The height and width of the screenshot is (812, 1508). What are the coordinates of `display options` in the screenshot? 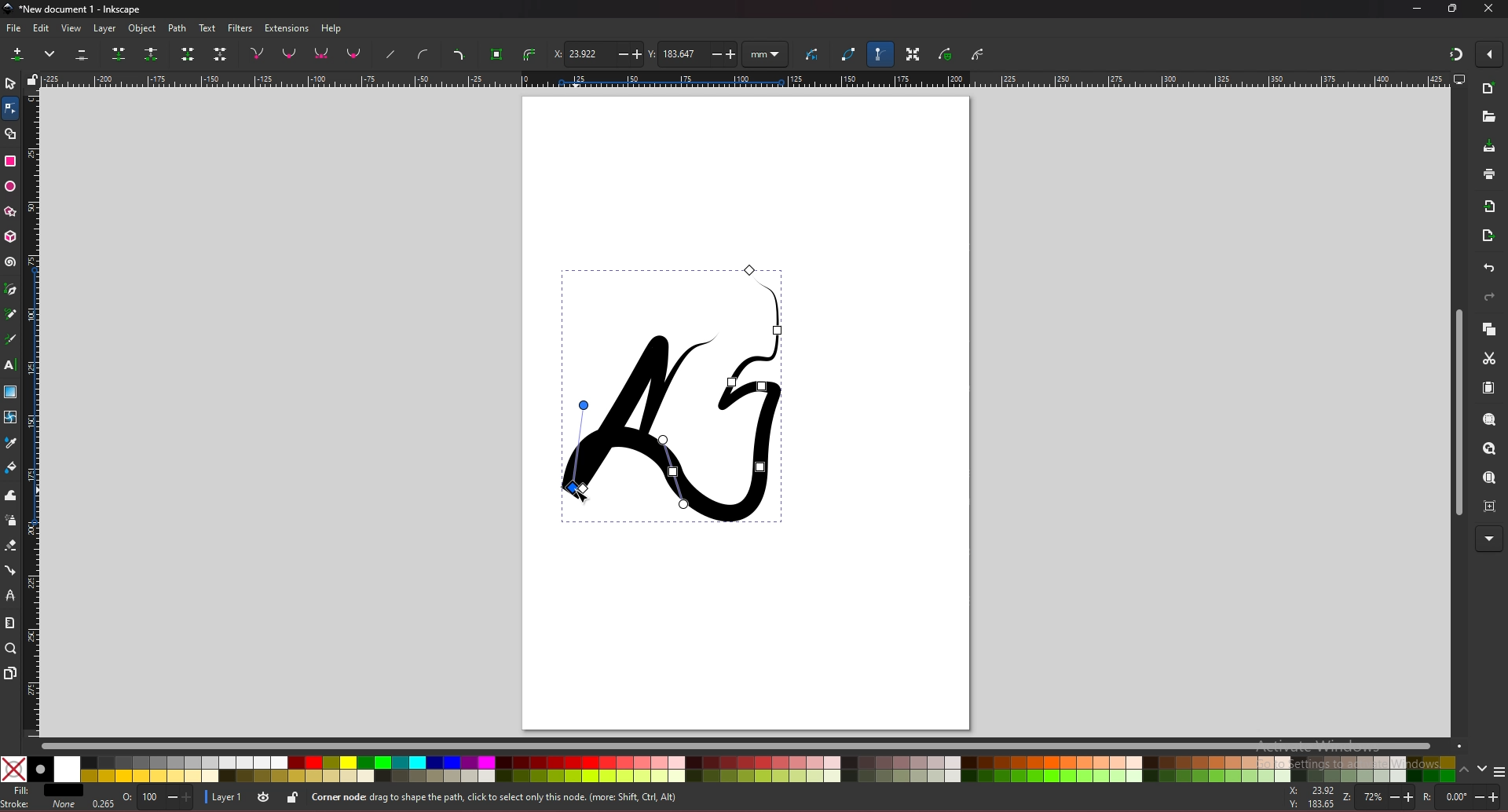 It's located at (1458, 79).